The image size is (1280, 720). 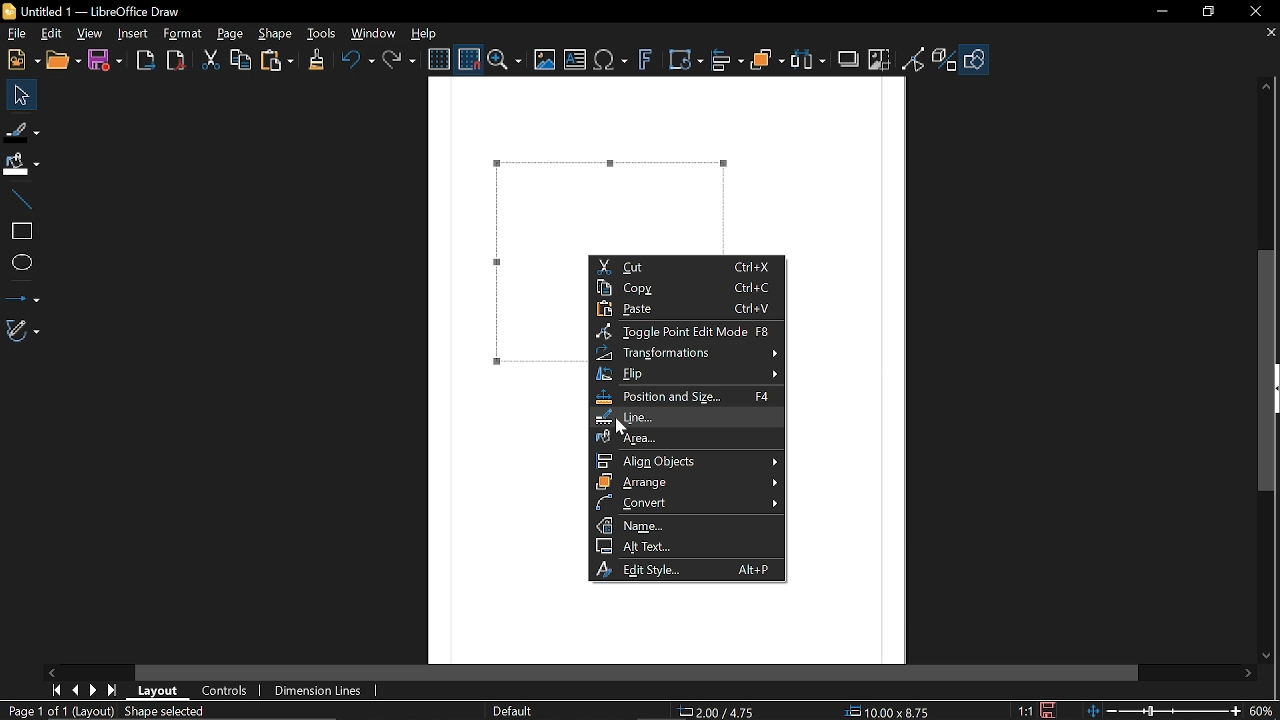 What do you see at coordinates (134, 35) in the screenshot?
I see `Insert` at bounding box center [134, 35].